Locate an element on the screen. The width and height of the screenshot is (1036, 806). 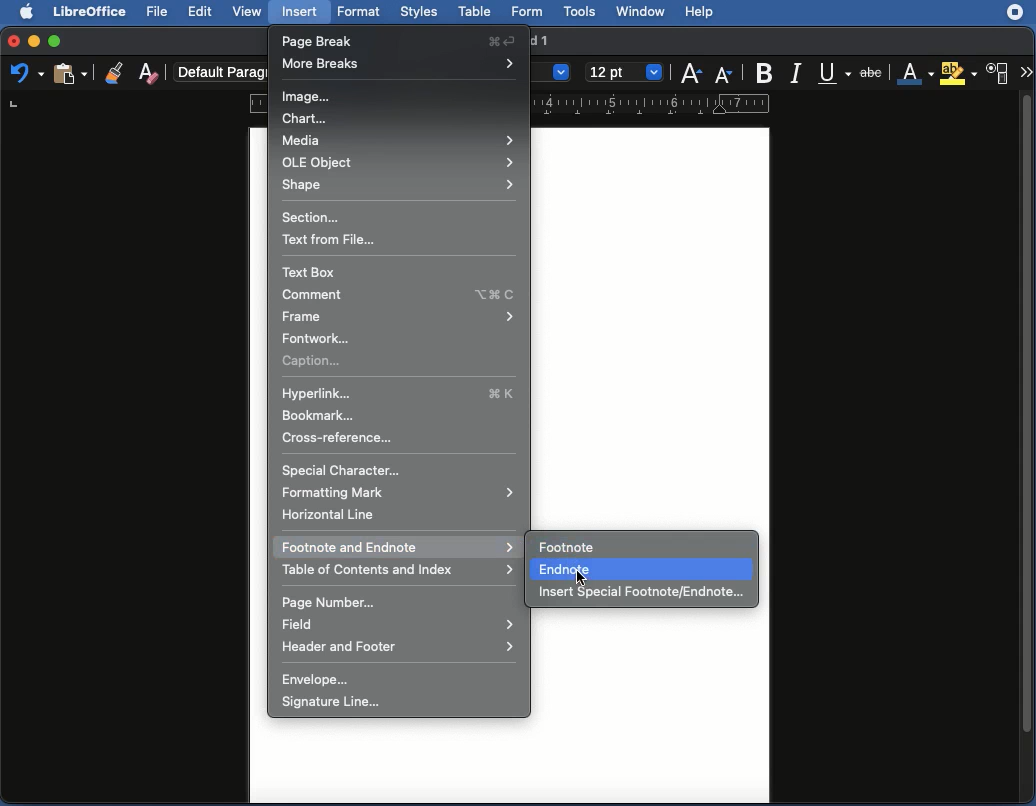
Section is located at coordinates (319, 218).